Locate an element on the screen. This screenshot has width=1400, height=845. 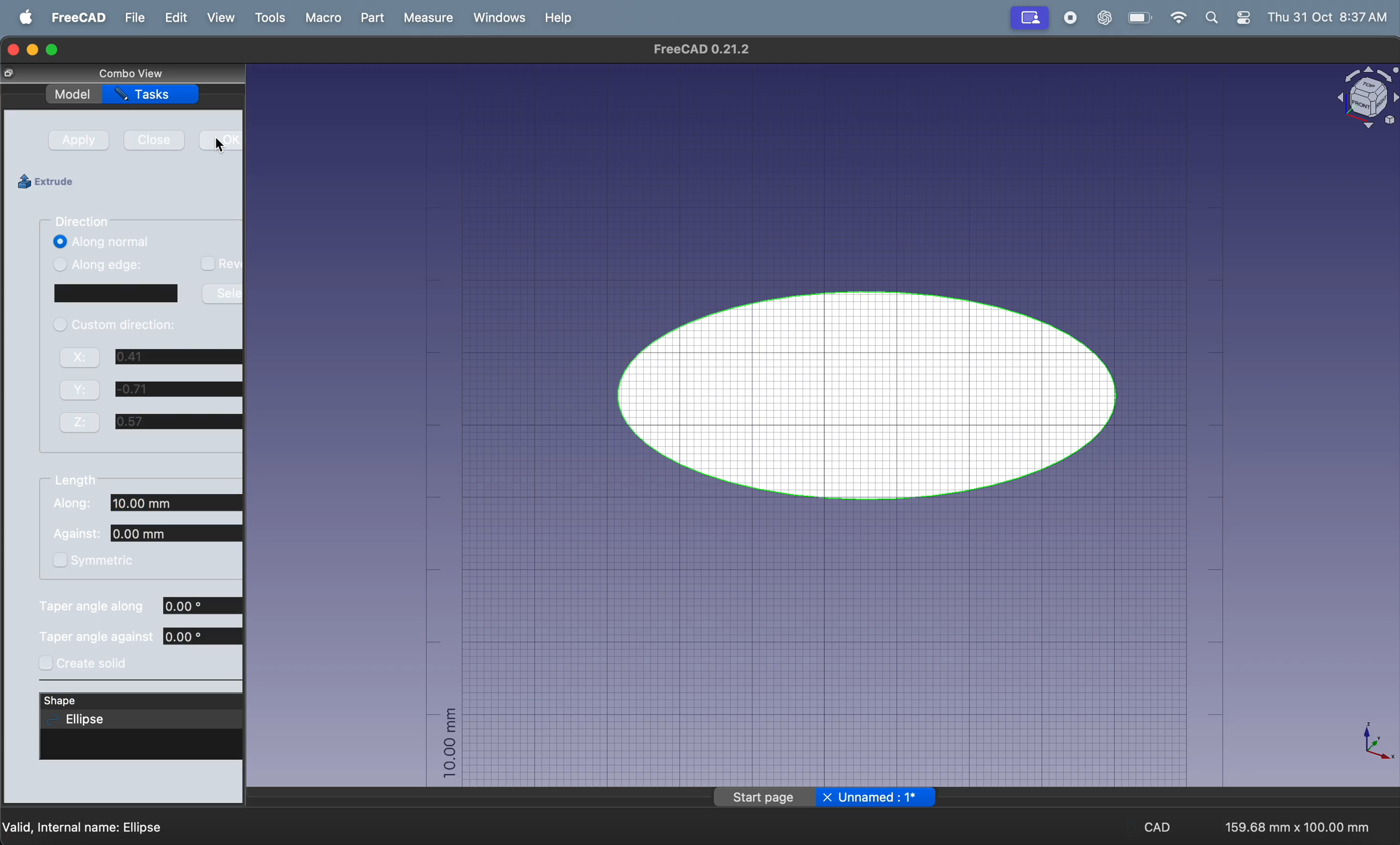
10.00 mm is located at coordinates (180, 504).